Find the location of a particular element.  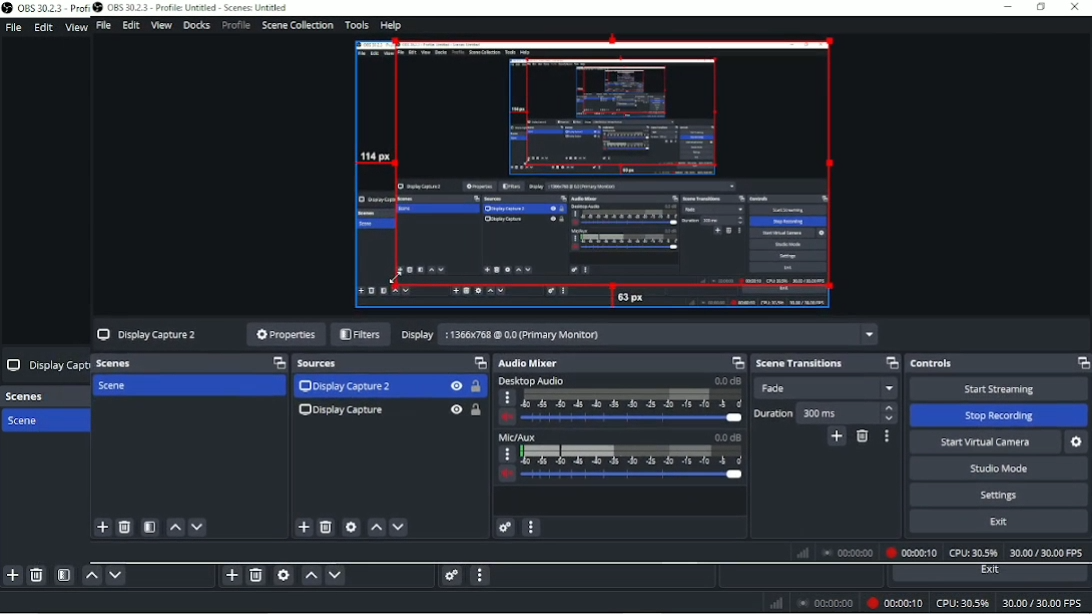

Close is located at coordinates (1078, 7).